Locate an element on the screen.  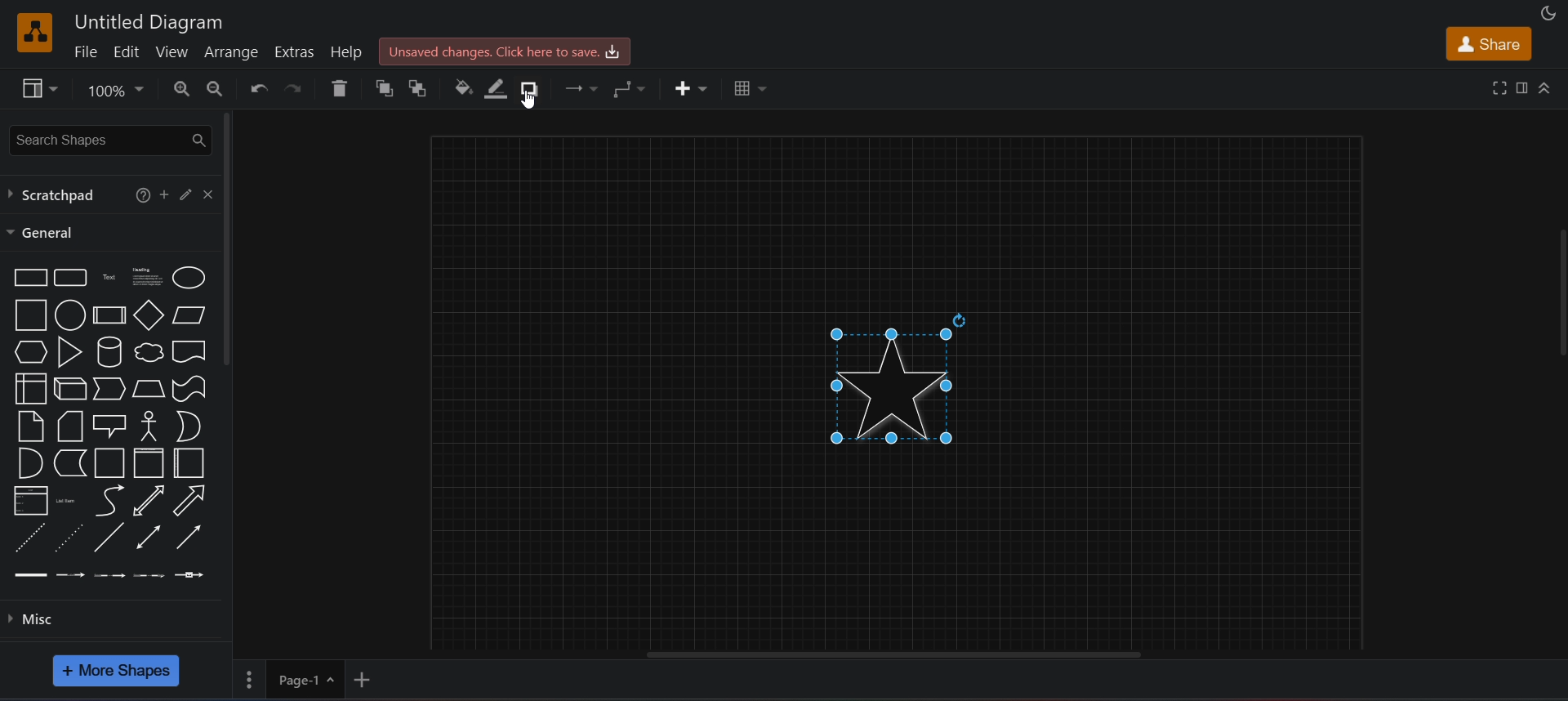
cylinder is located at coordinates (107, 351).